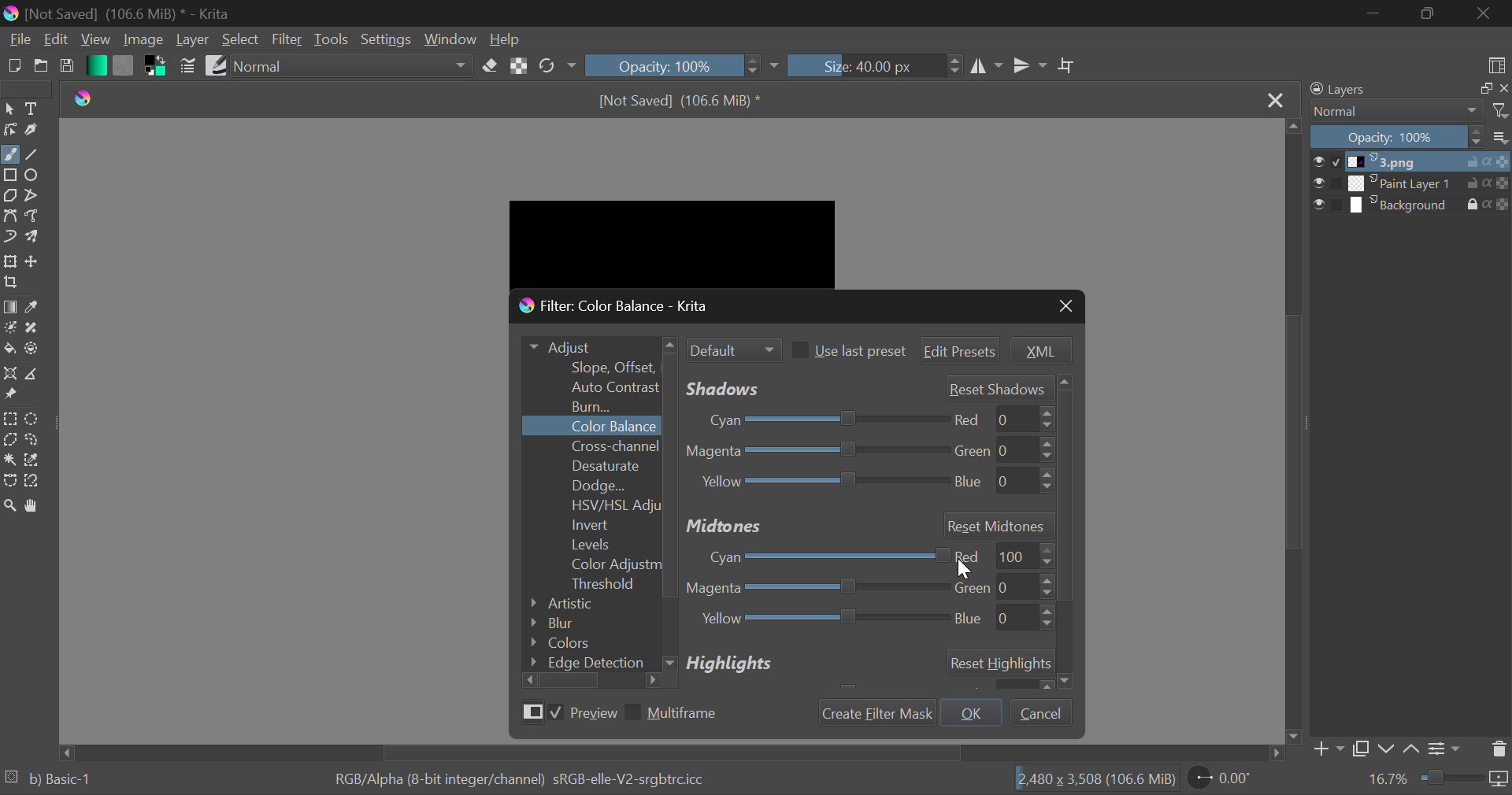  I want to click on Background, so click(1411, 207).